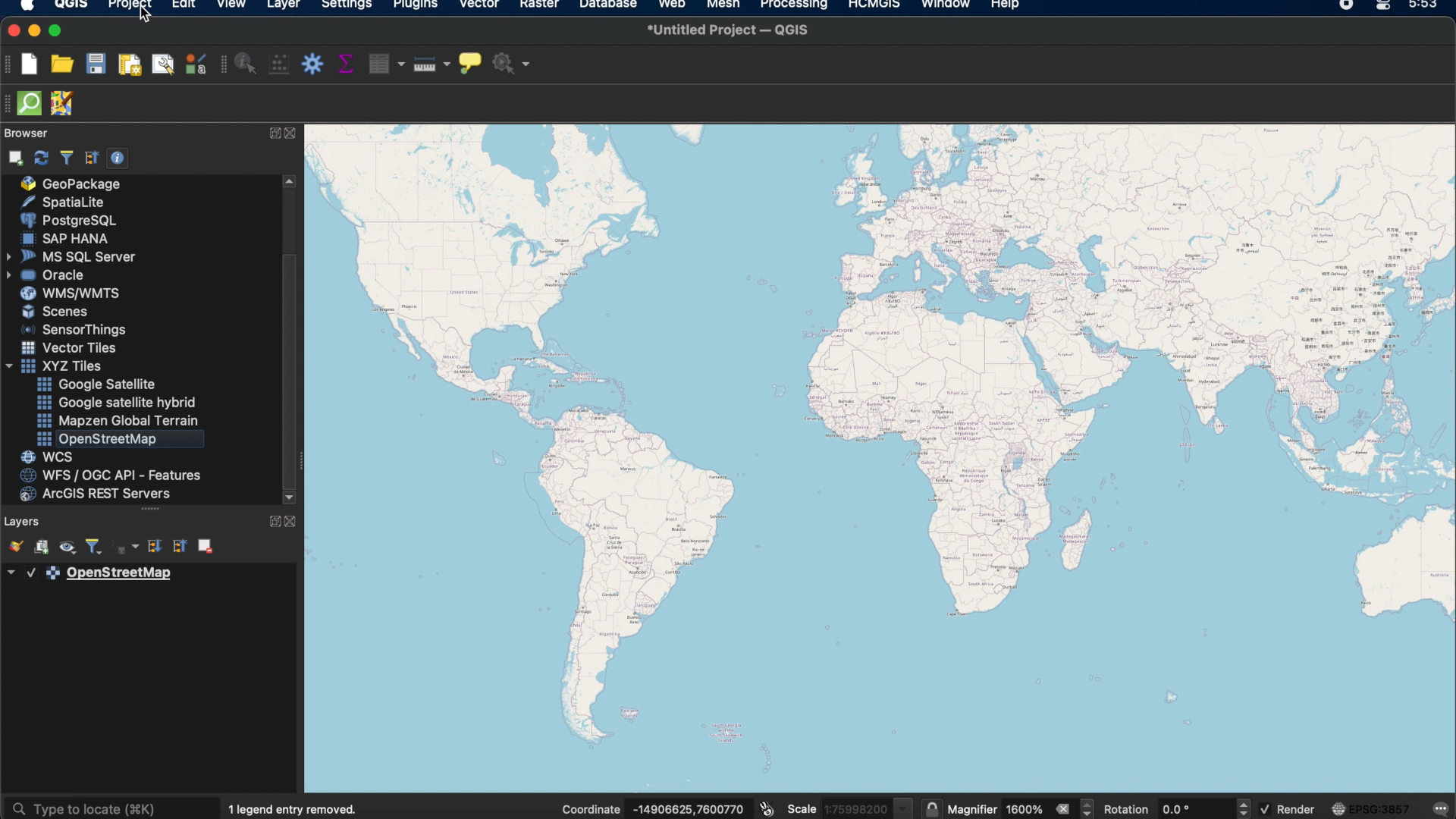 The image size is (1456, 819). I want to click on enable/disable properties widget, so click(119, 157).